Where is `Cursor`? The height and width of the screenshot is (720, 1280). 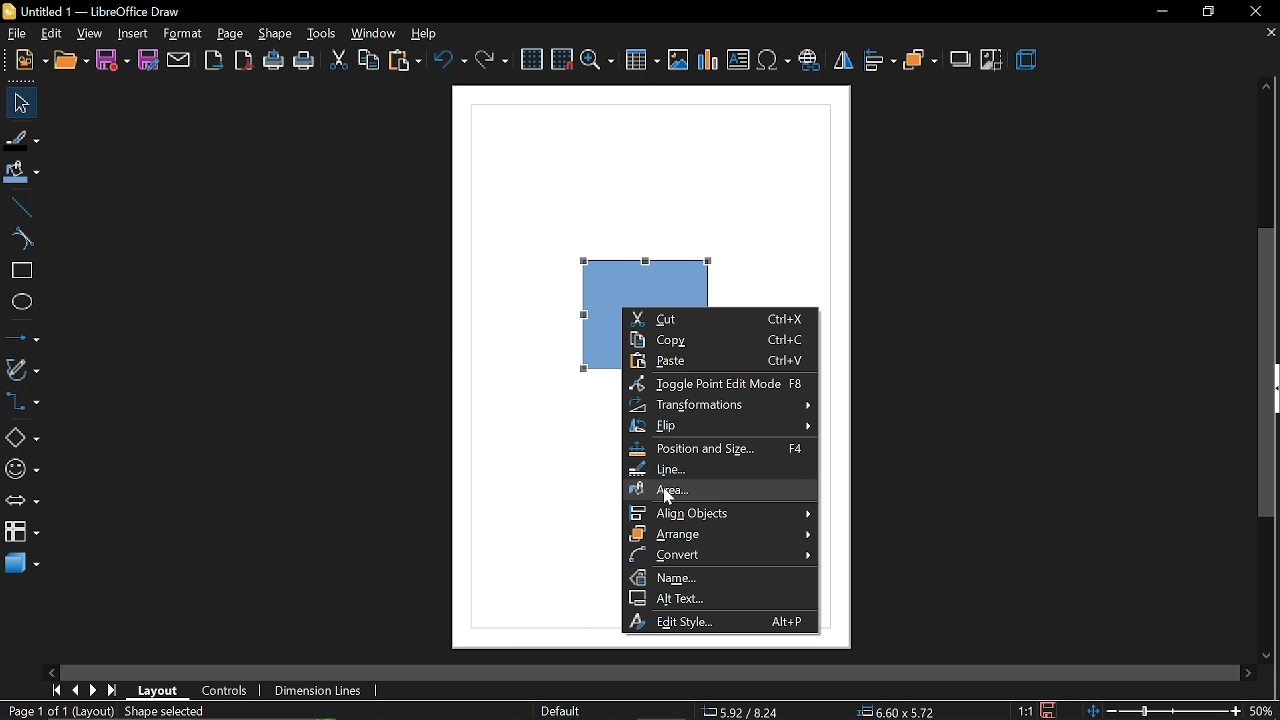
Cursor is located at coordinates (672, 500).